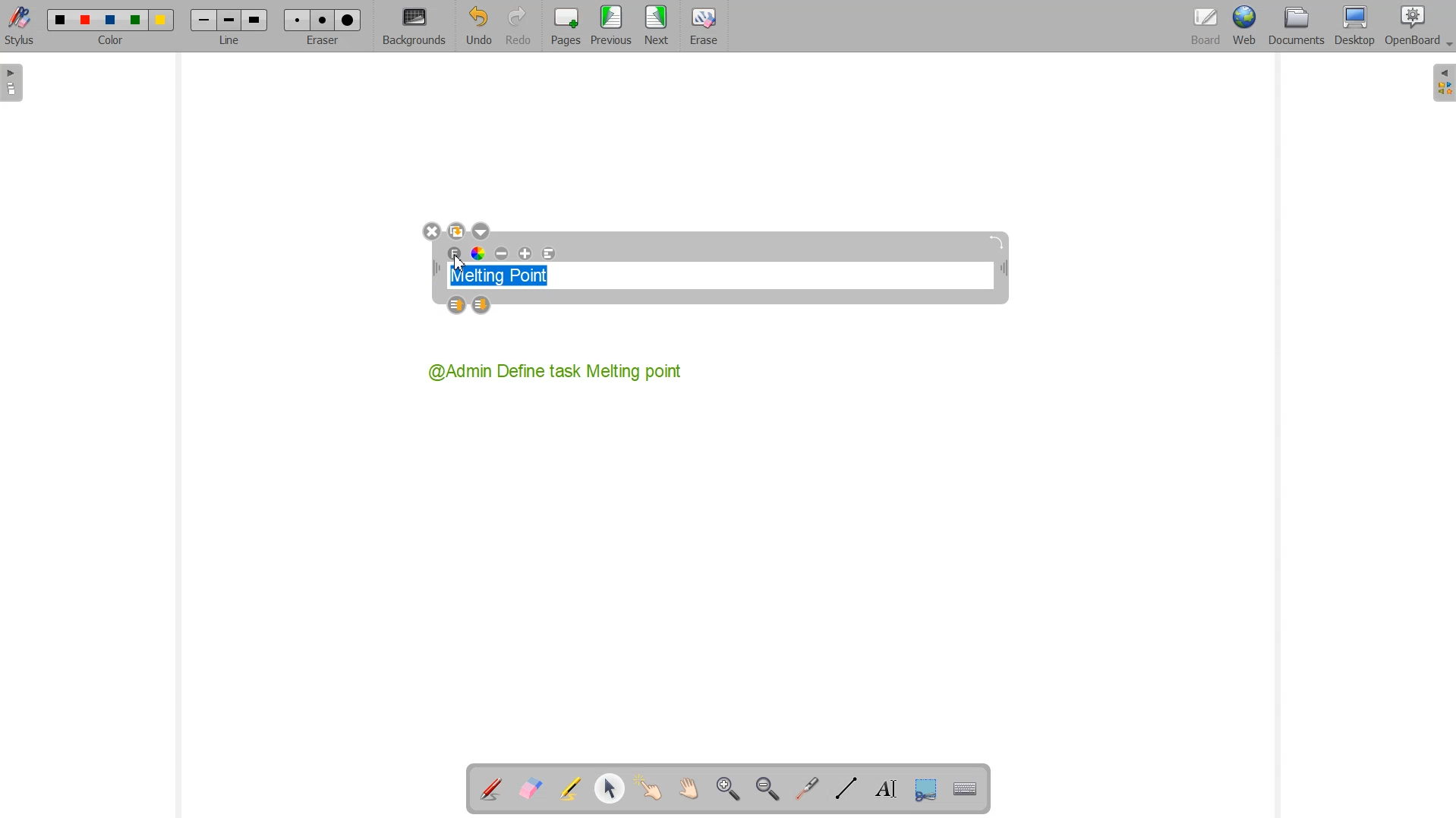  Describe the element at coordinates (882, 787) in the screenshot. I see `Write text` at that location.